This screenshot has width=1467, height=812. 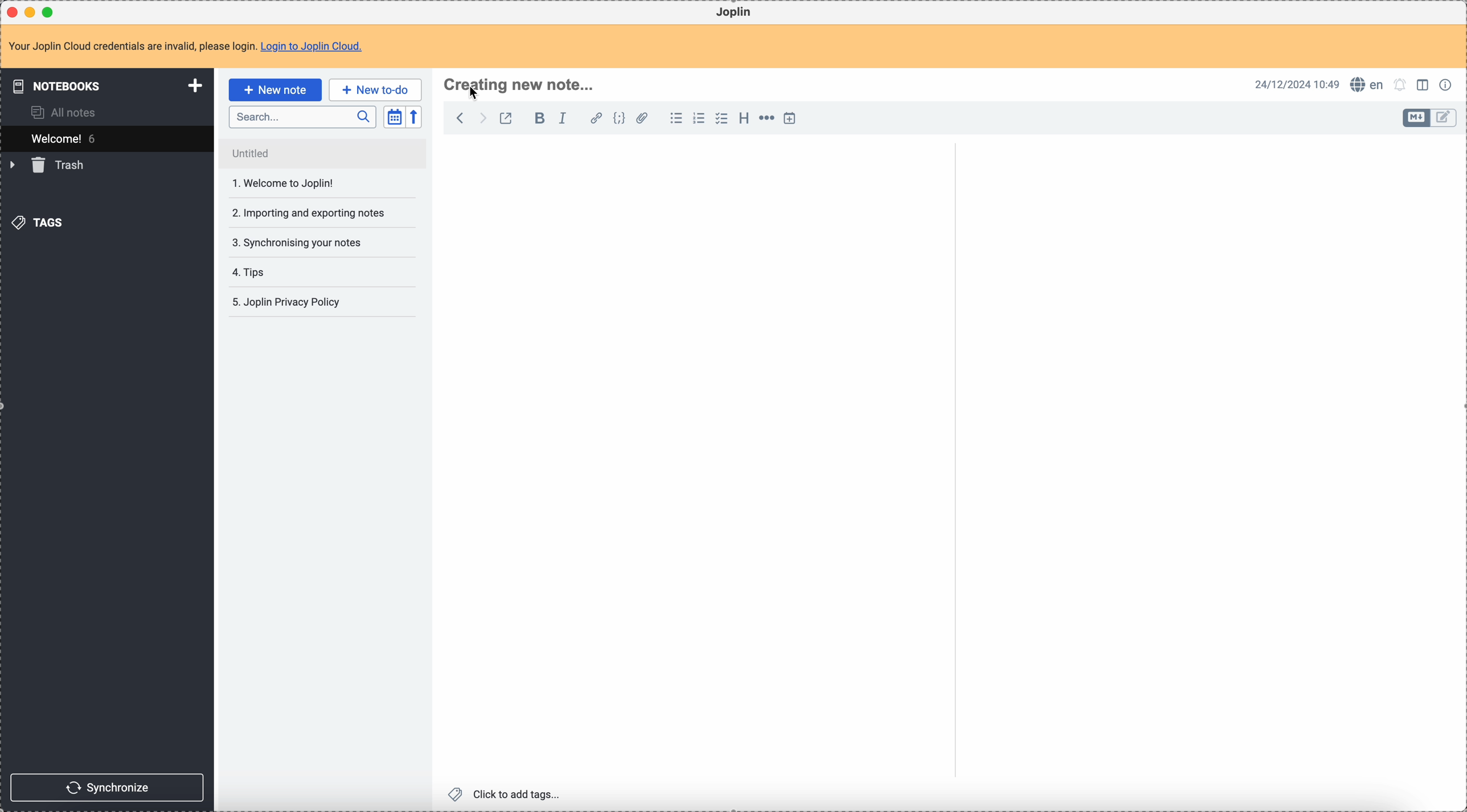 What do you see at coordinates (1444, 118) in the screenshot?
I see `toggle edit layout` at bounding box center [1444, 118].